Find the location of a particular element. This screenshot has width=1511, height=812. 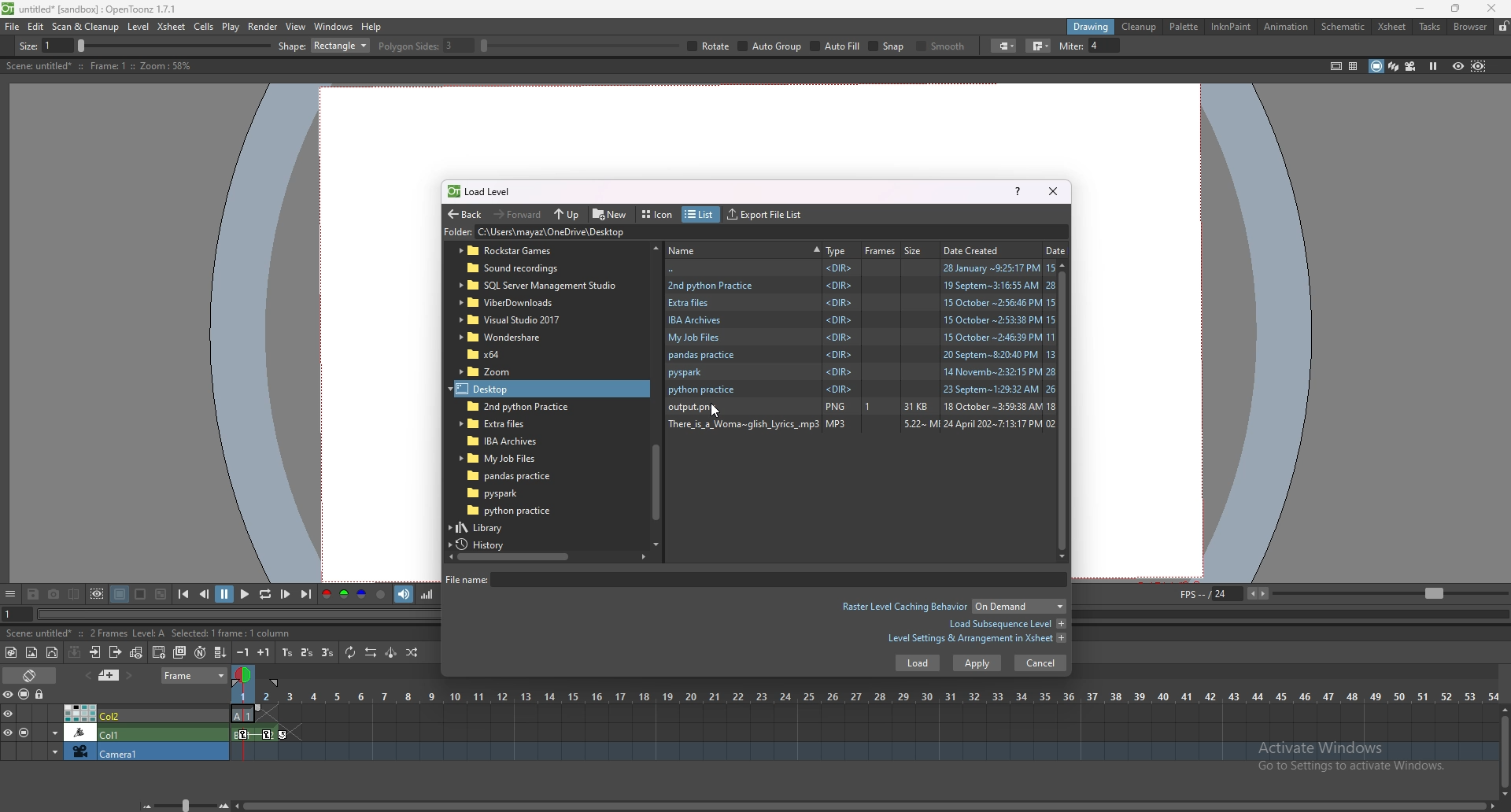

history is located at coordinates (486, 544).